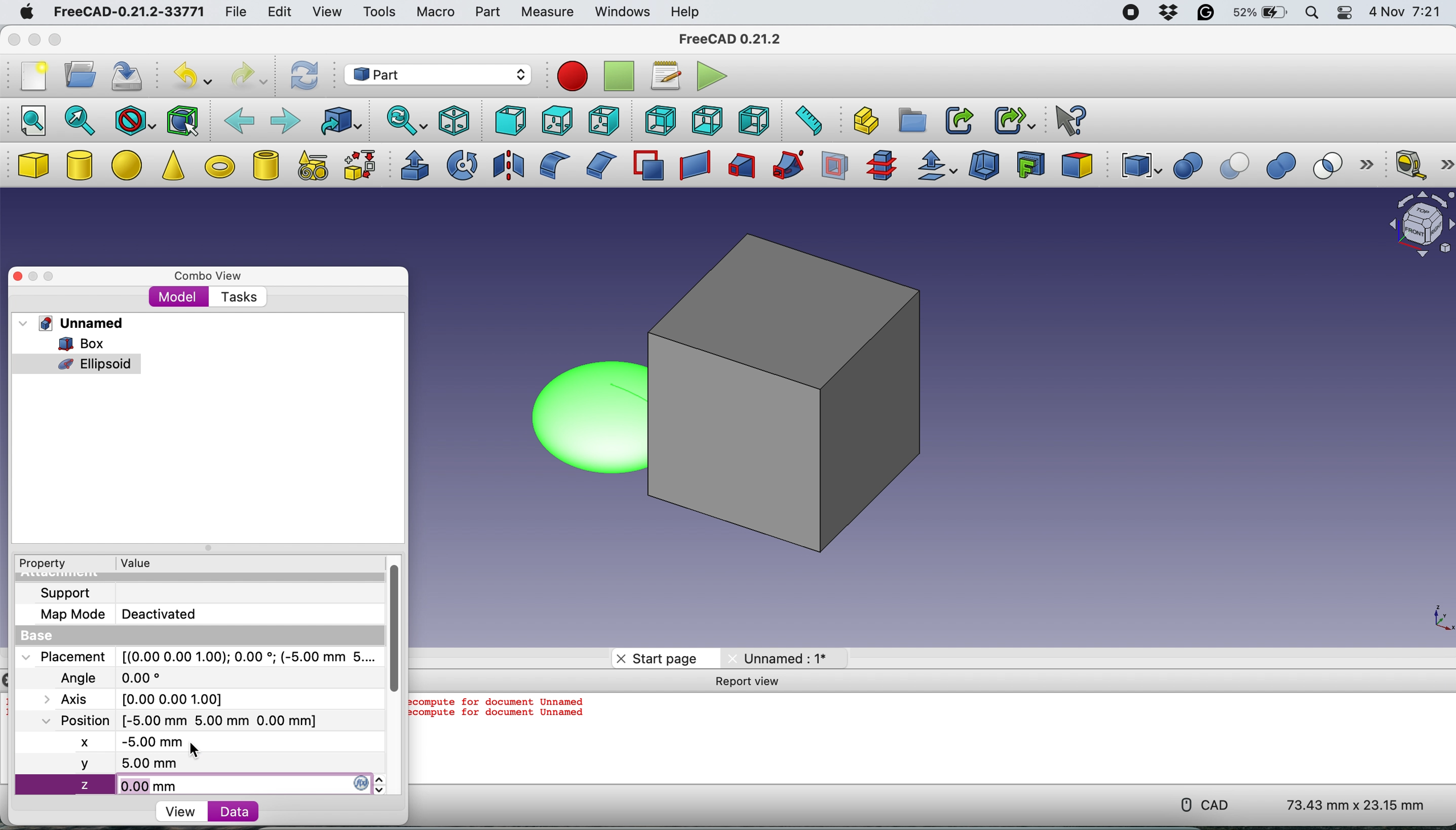 The width and height of the screenshot is (1456, 830). What do you see at coordinates (1258, 14) in the screenshot?
I see `battery` at bounding box center [1258, 14].